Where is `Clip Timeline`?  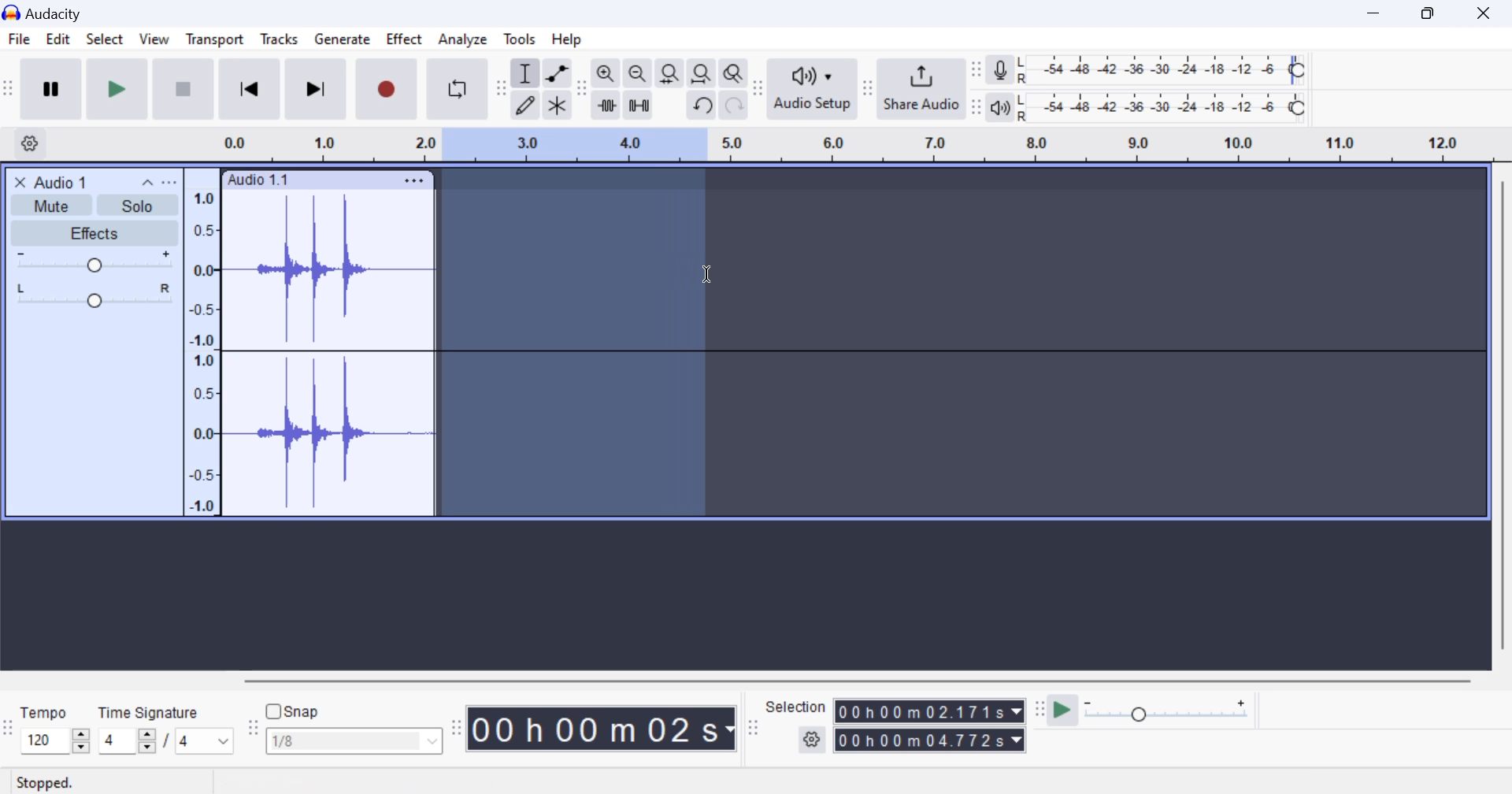
Clip Timeline is located at coordinates (841, 147).